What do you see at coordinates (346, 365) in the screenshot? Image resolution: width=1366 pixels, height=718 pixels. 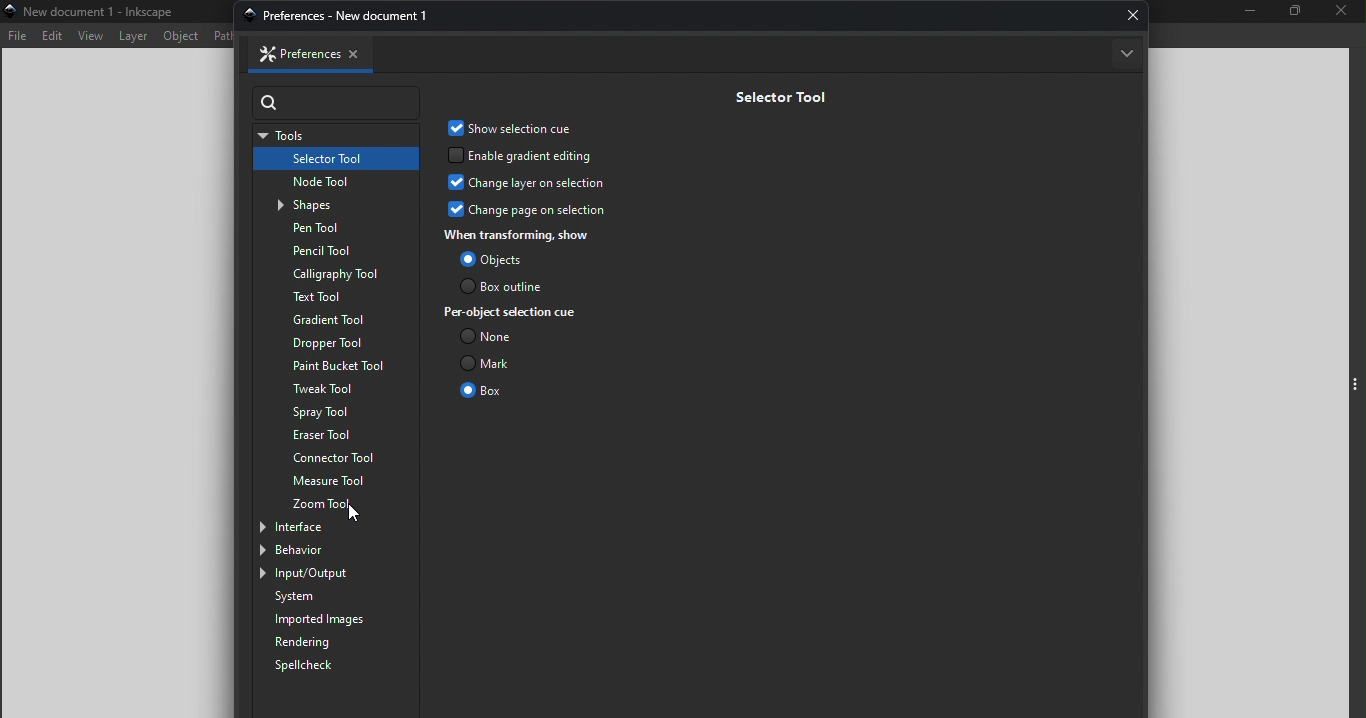 I see `Paint bucket tool` at bounding box center [346, 365].